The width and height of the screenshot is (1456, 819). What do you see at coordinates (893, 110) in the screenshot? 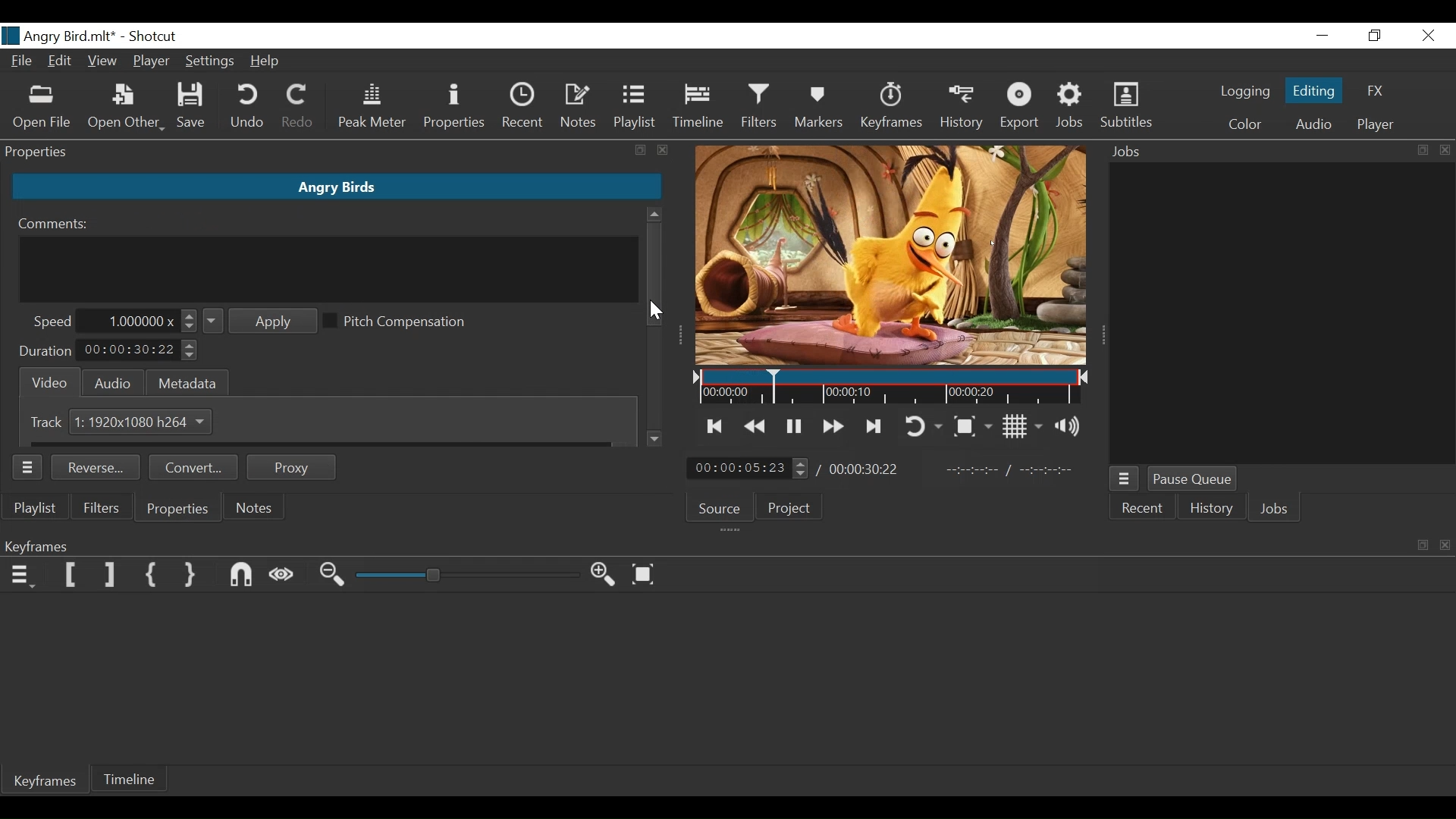
I see `Keyframe` at bounding box center [893, 110].